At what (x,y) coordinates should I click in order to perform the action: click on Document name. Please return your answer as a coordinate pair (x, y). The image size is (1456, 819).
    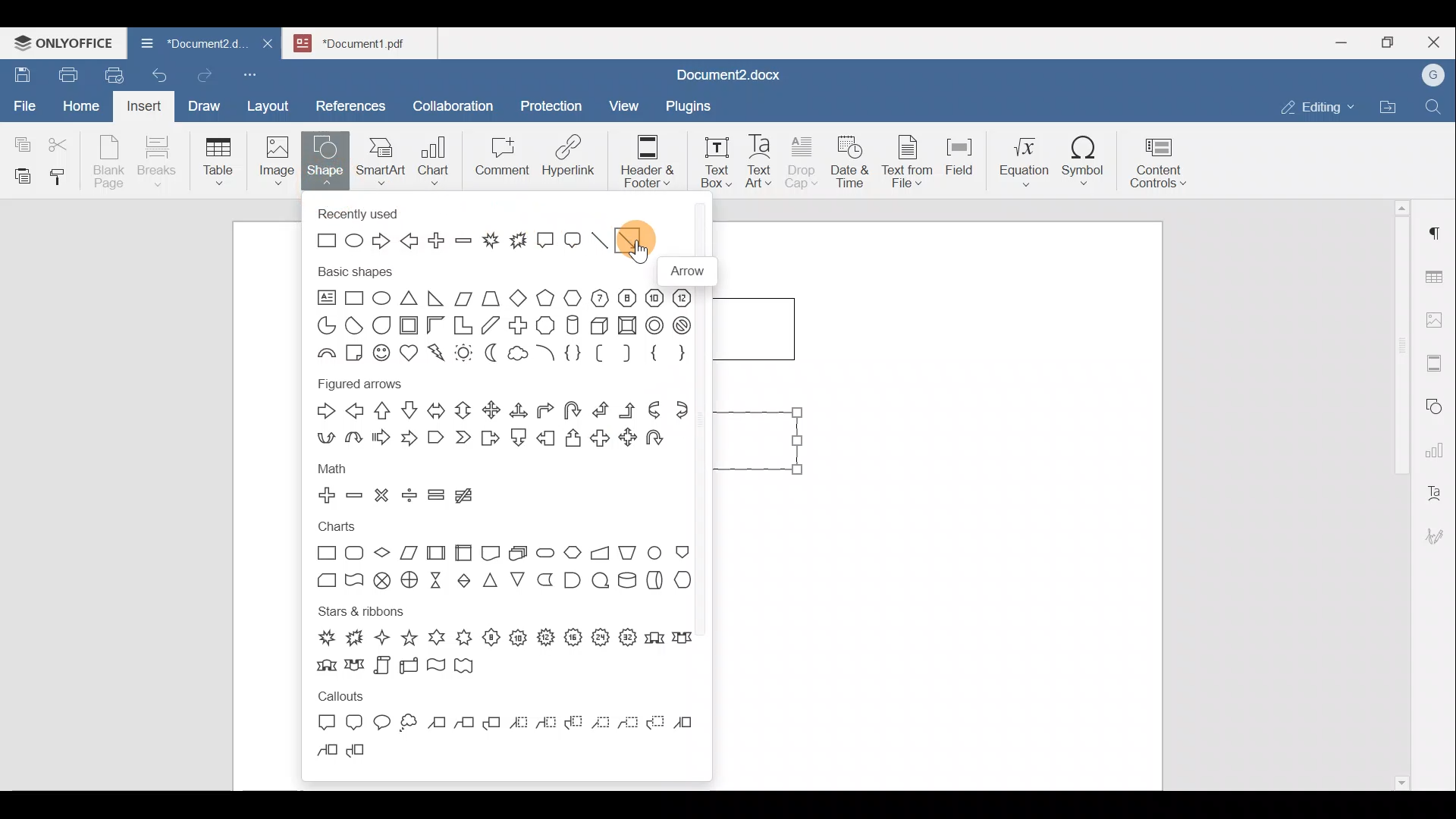
    Looking at the image, I should click on (185, 45).